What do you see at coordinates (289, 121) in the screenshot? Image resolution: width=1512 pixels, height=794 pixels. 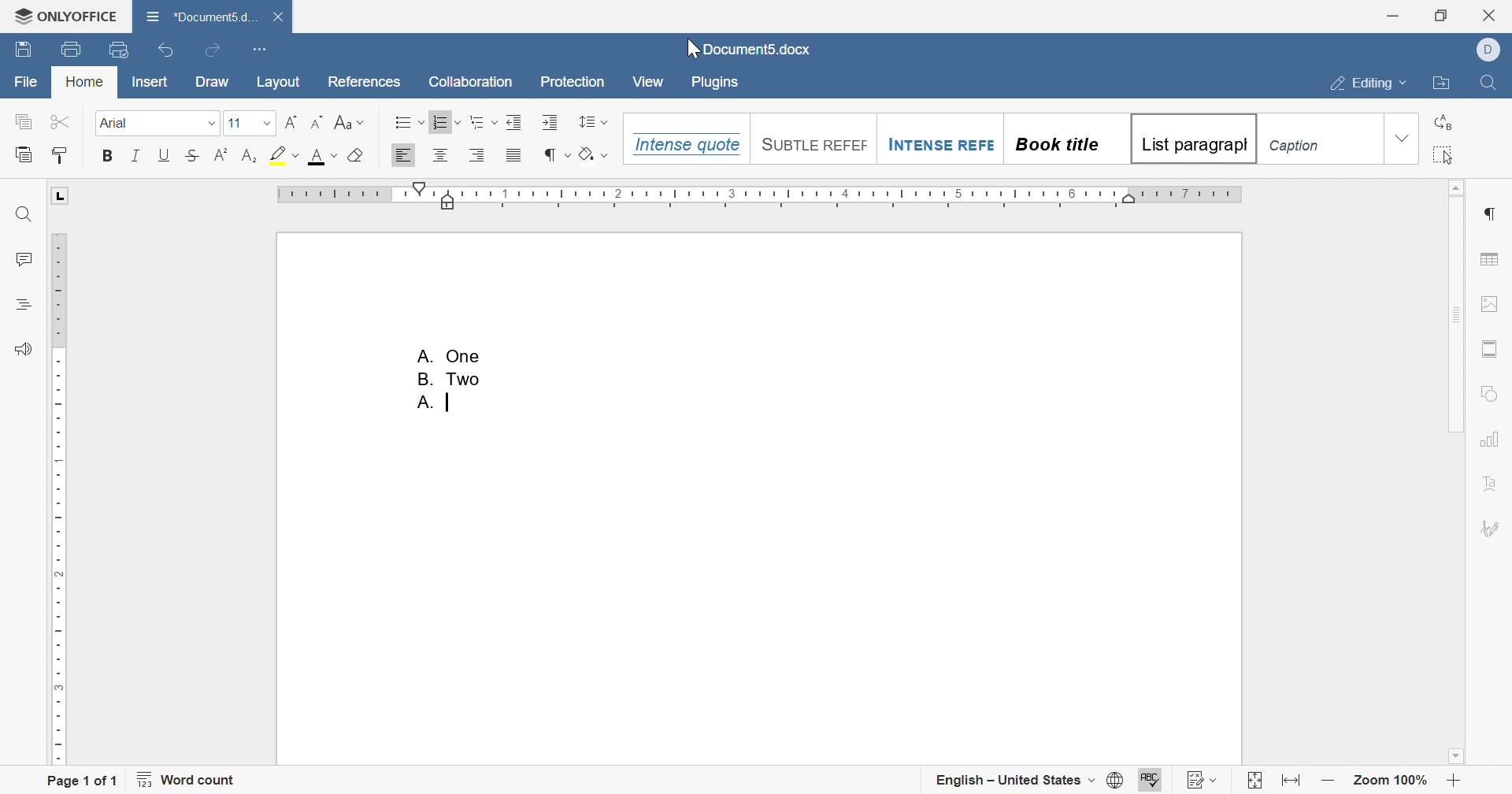 I see `Increment font size` at bounding box center [289, 121].